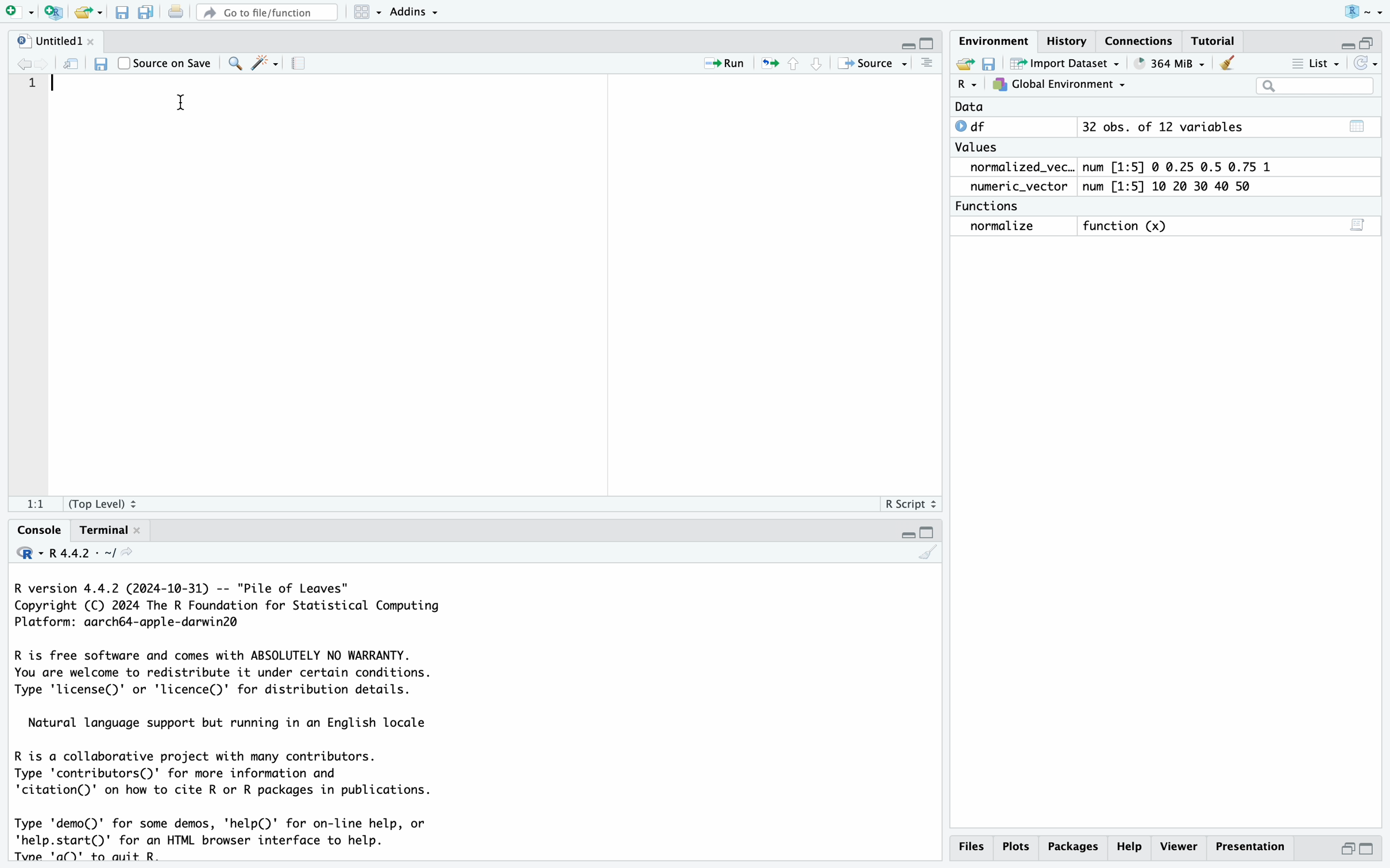 The image size is (1390, 868). What do you see at coordinates (1180, 845) in the screenshot?
I see `Viewer` at bounding box center [1180, 845].